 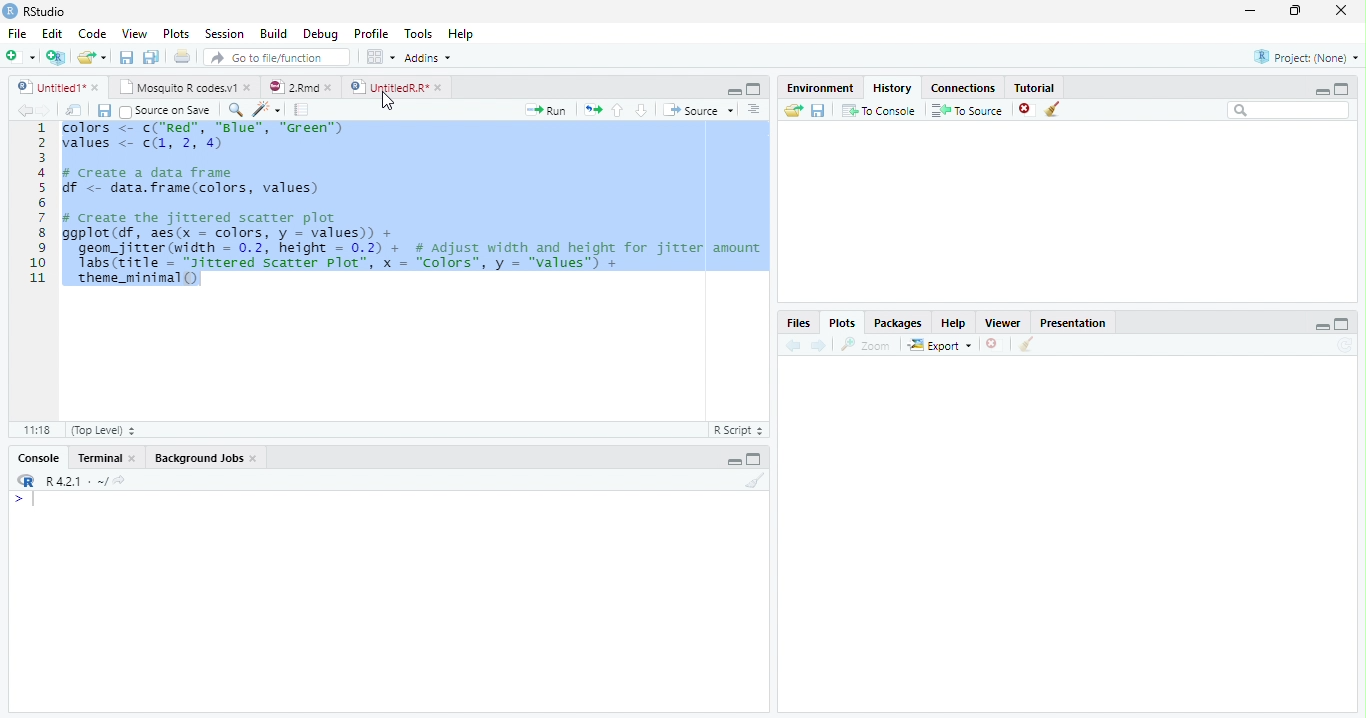 I want to click on Files, so click(x=799, y=323).